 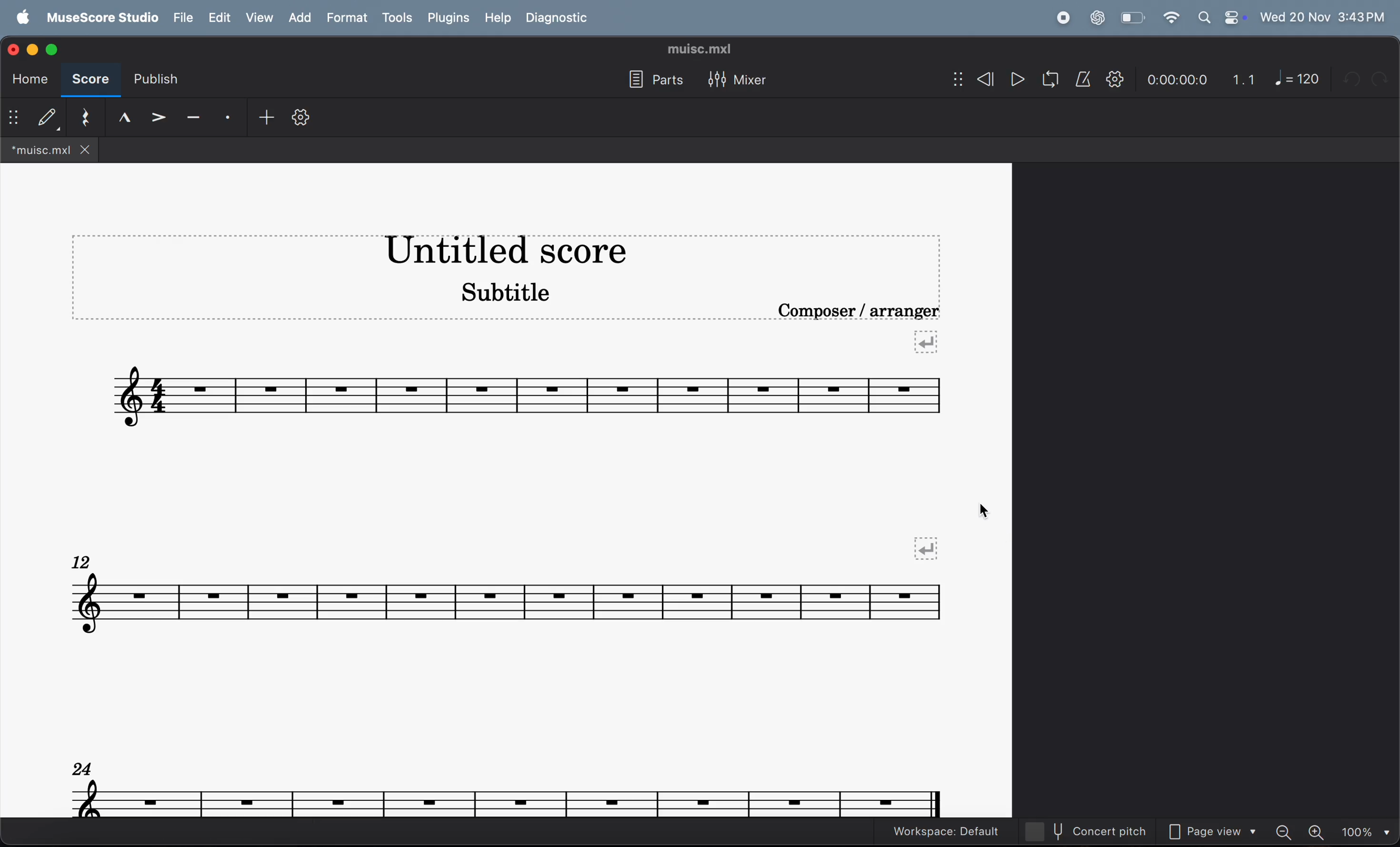 What do you see at coordinates (1111, 78) in the screenshot?
I see `settings` at bounding box center [1111, 78].